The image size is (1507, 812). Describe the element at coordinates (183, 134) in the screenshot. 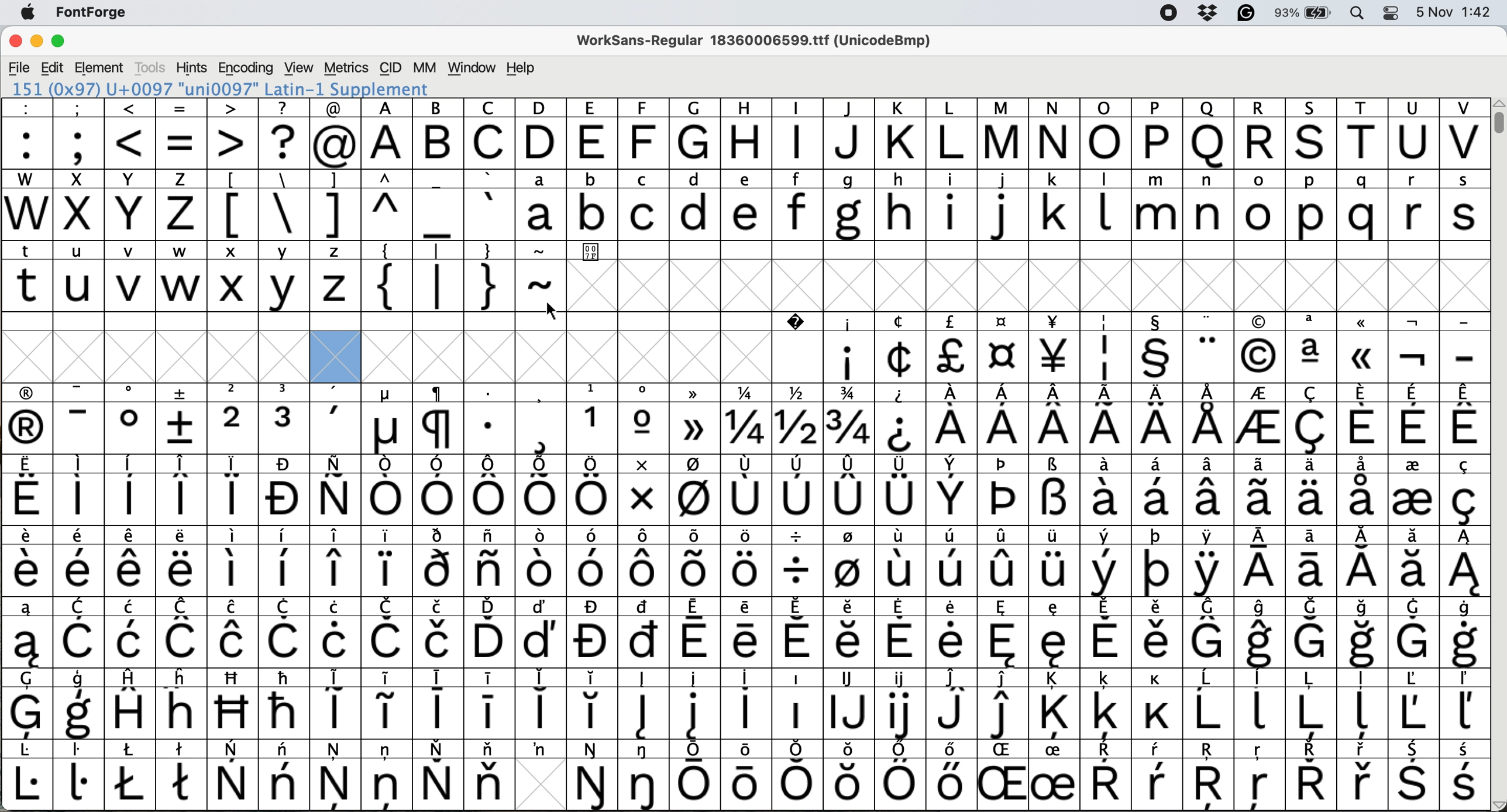

I see `=` at that location.